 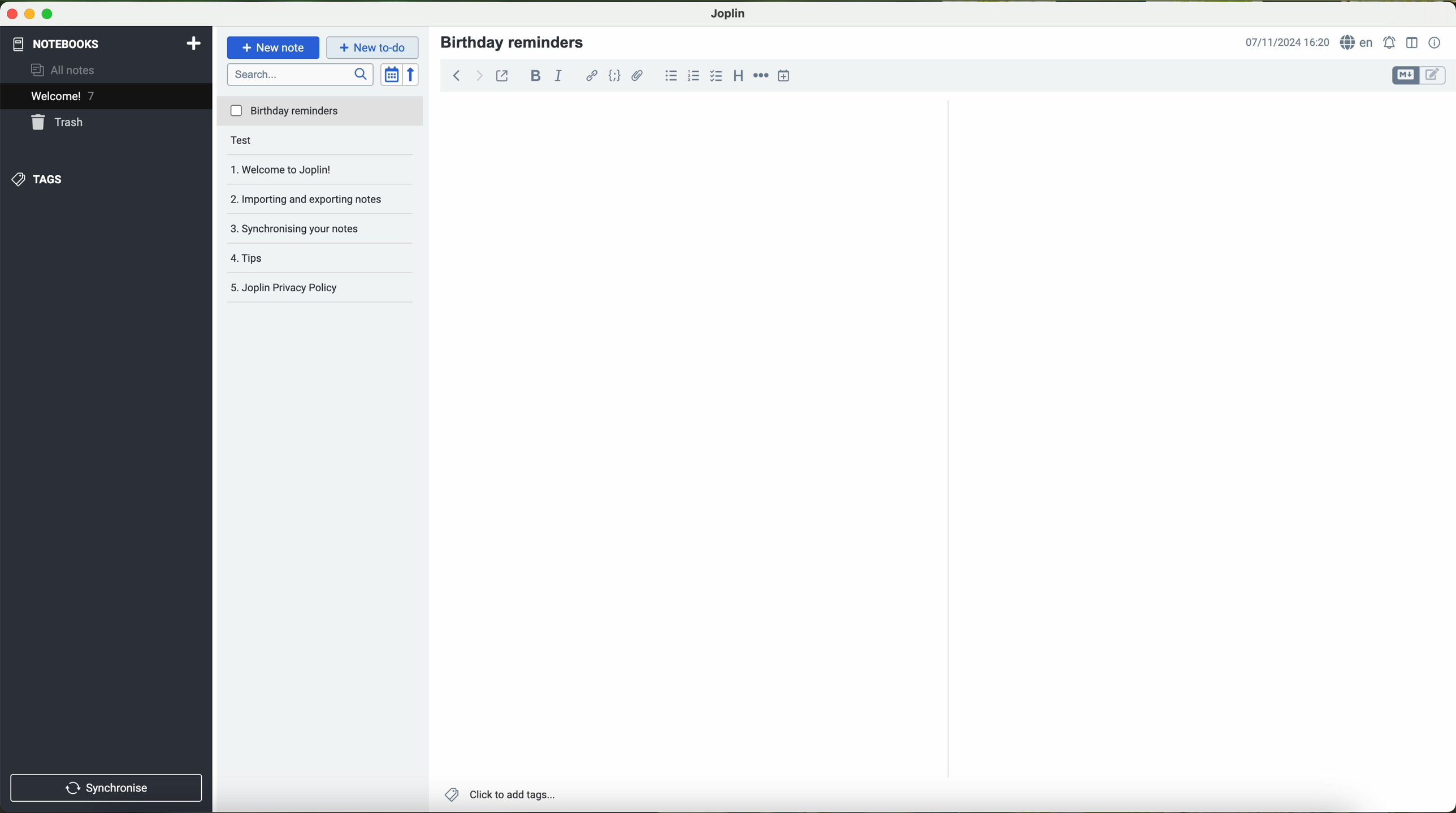 What do you see at coordinates (297, 169) in the screenshot?
I see `welcome to Joplin` at bounding box center [297, 169].